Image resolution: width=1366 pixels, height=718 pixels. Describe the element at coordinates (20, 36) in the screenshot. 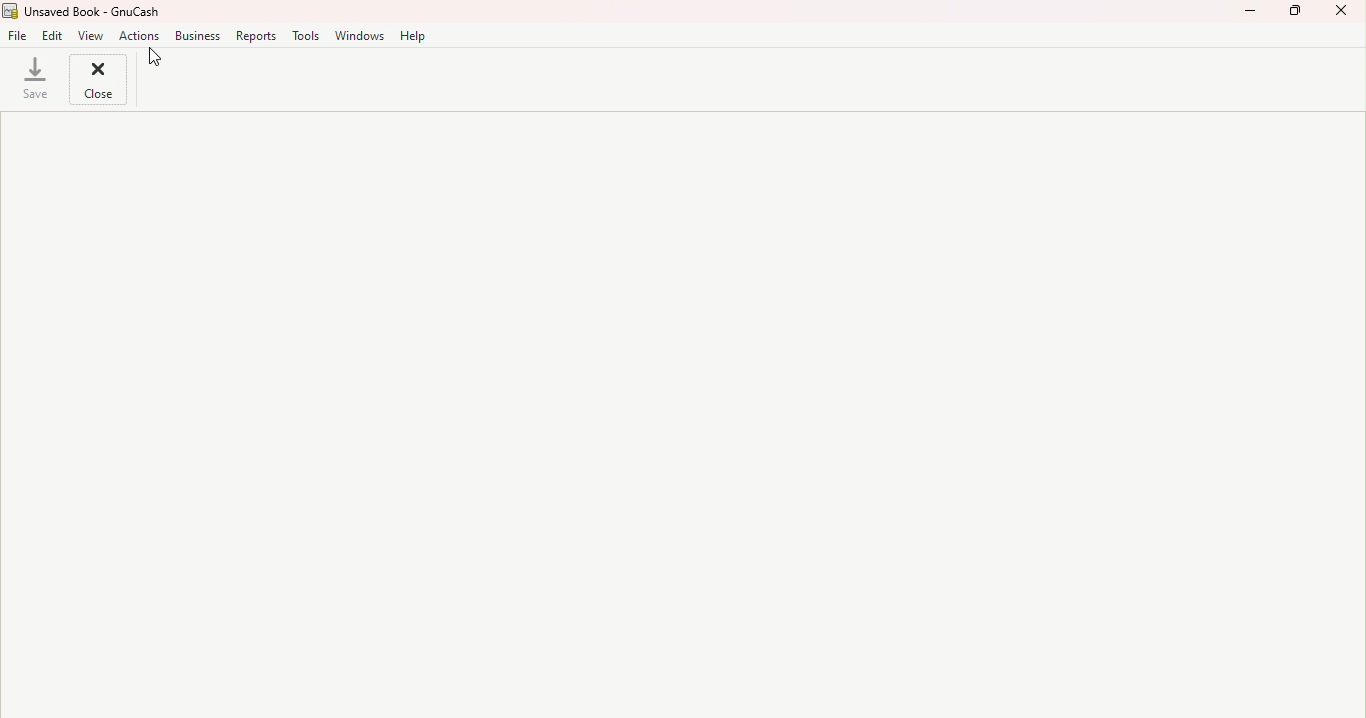

I see `File` at that location.